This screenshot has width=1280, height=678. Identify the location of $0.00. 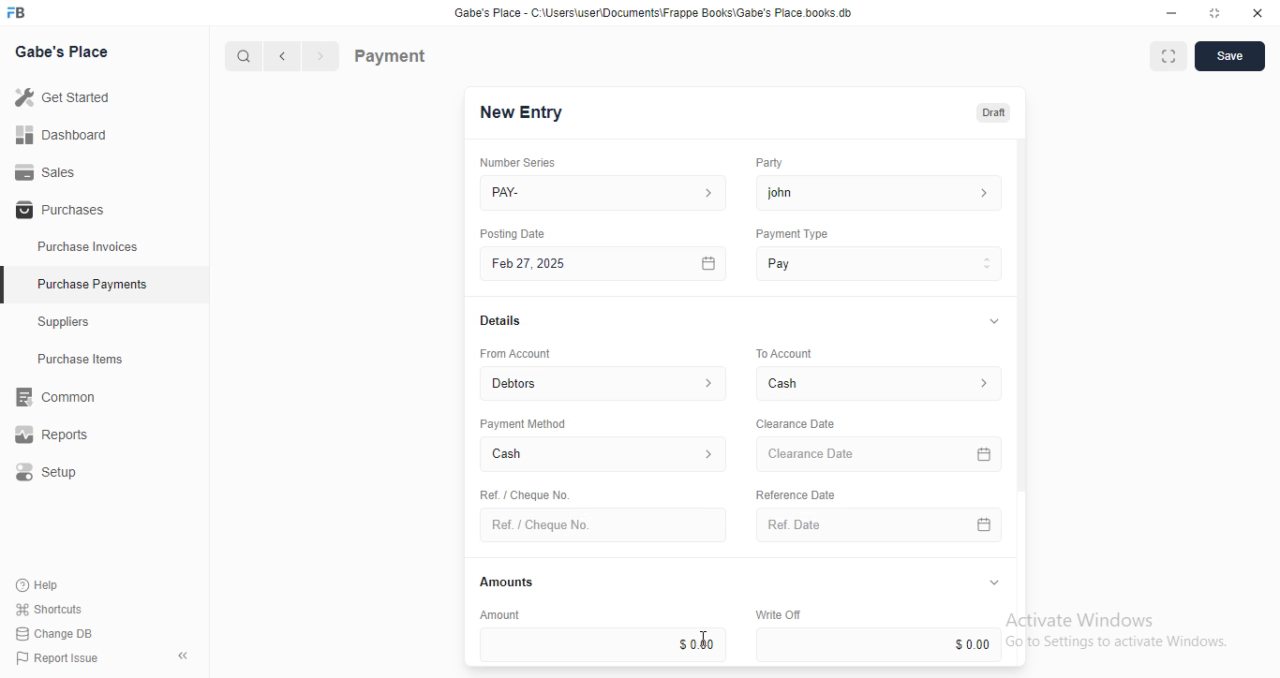
(882, 644).